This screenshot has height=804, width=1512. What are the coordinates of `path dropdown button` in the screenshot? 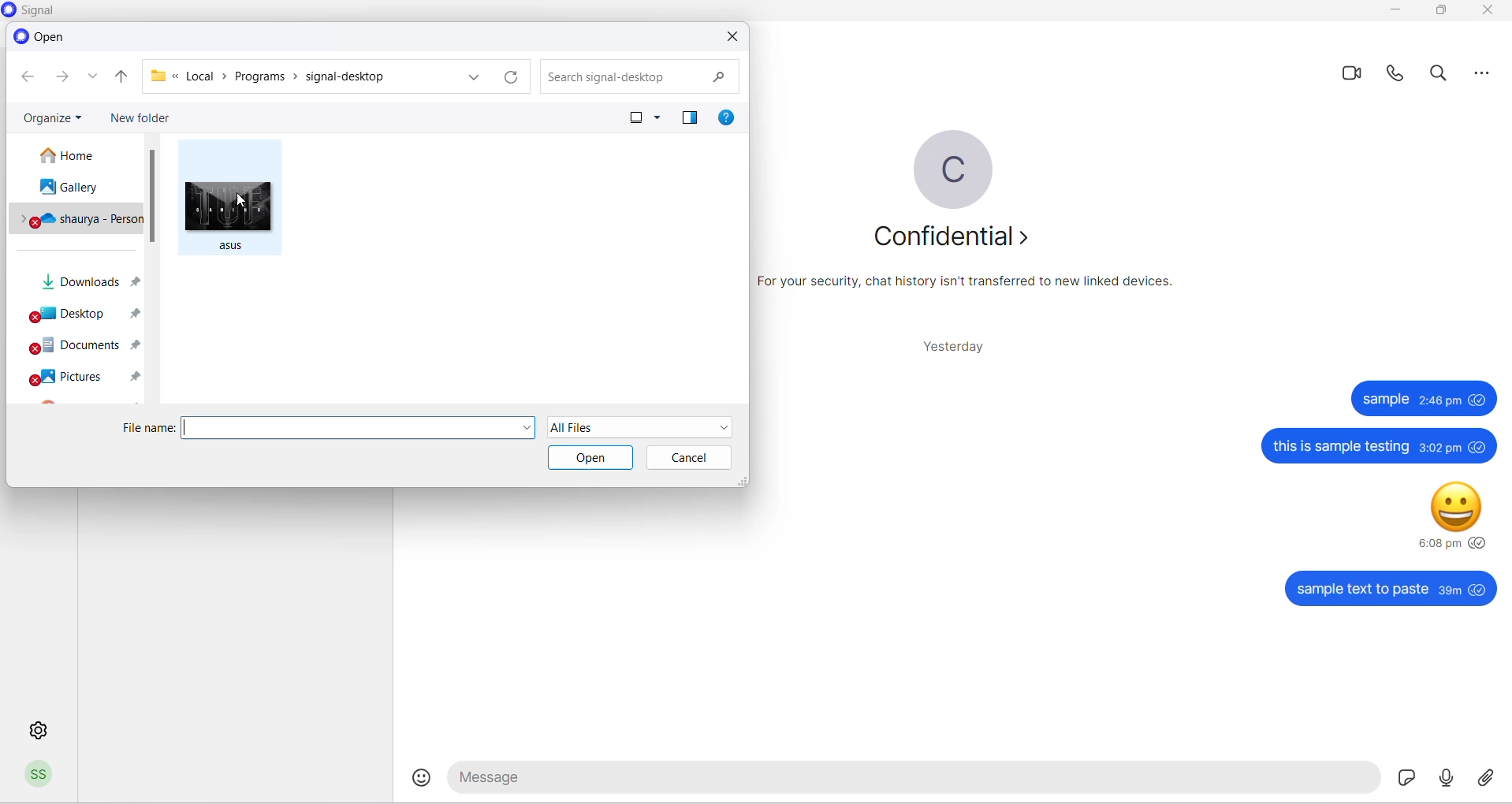 It's located at (472, 76).